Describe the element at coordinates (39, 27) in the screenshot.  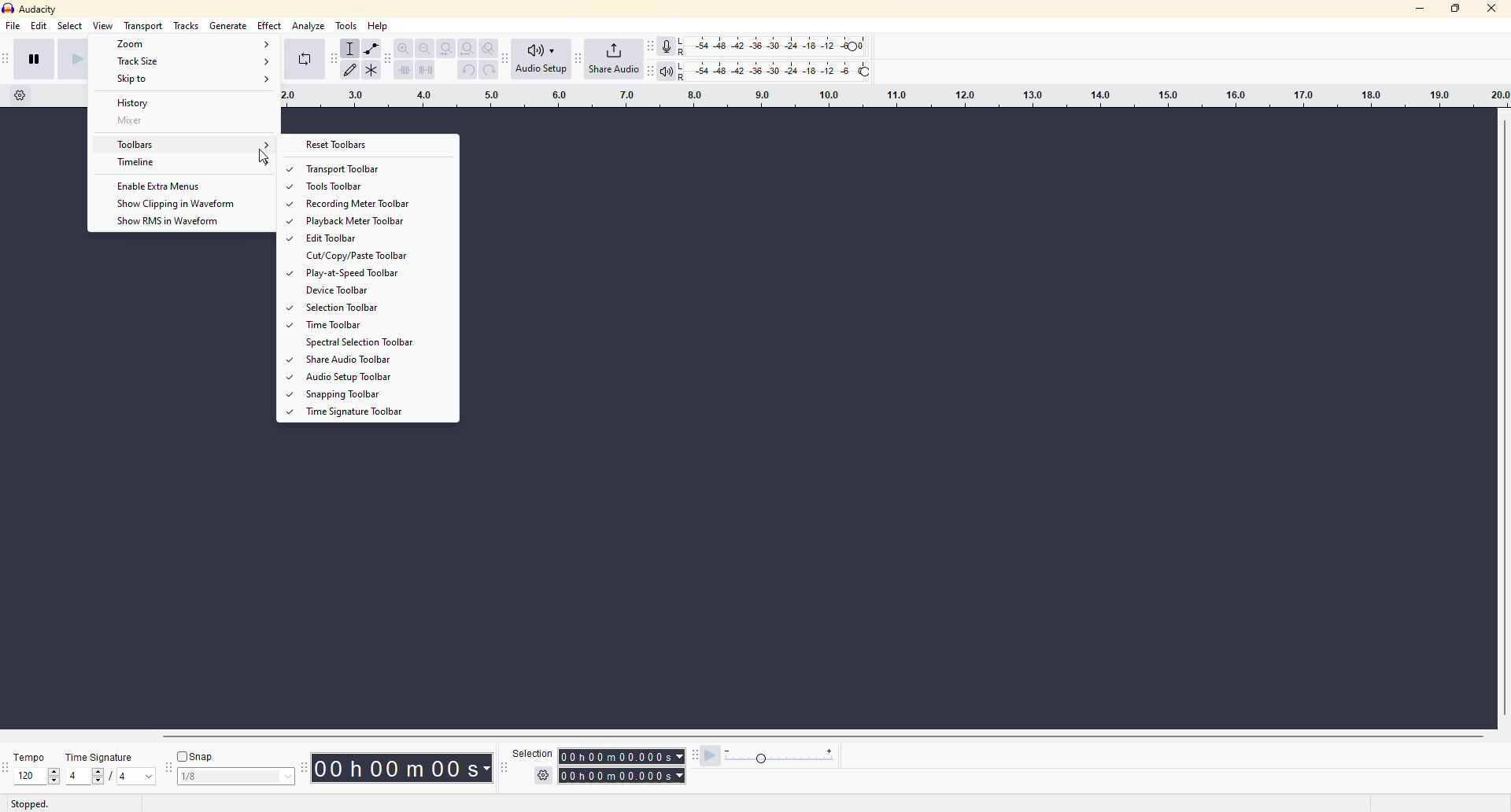
I see `edit` at that location.